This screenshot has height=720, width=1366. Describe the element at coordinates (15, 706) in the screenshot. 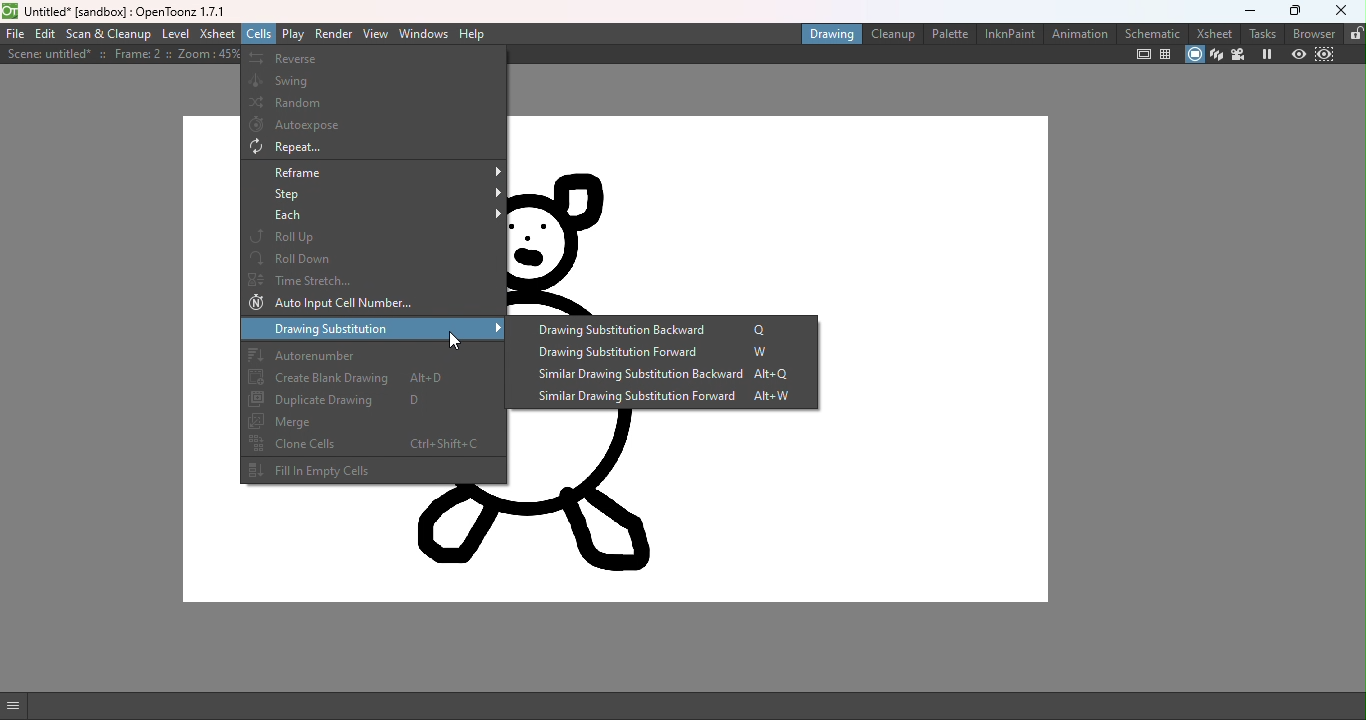

I see `GUI Show/Hide` at that location.